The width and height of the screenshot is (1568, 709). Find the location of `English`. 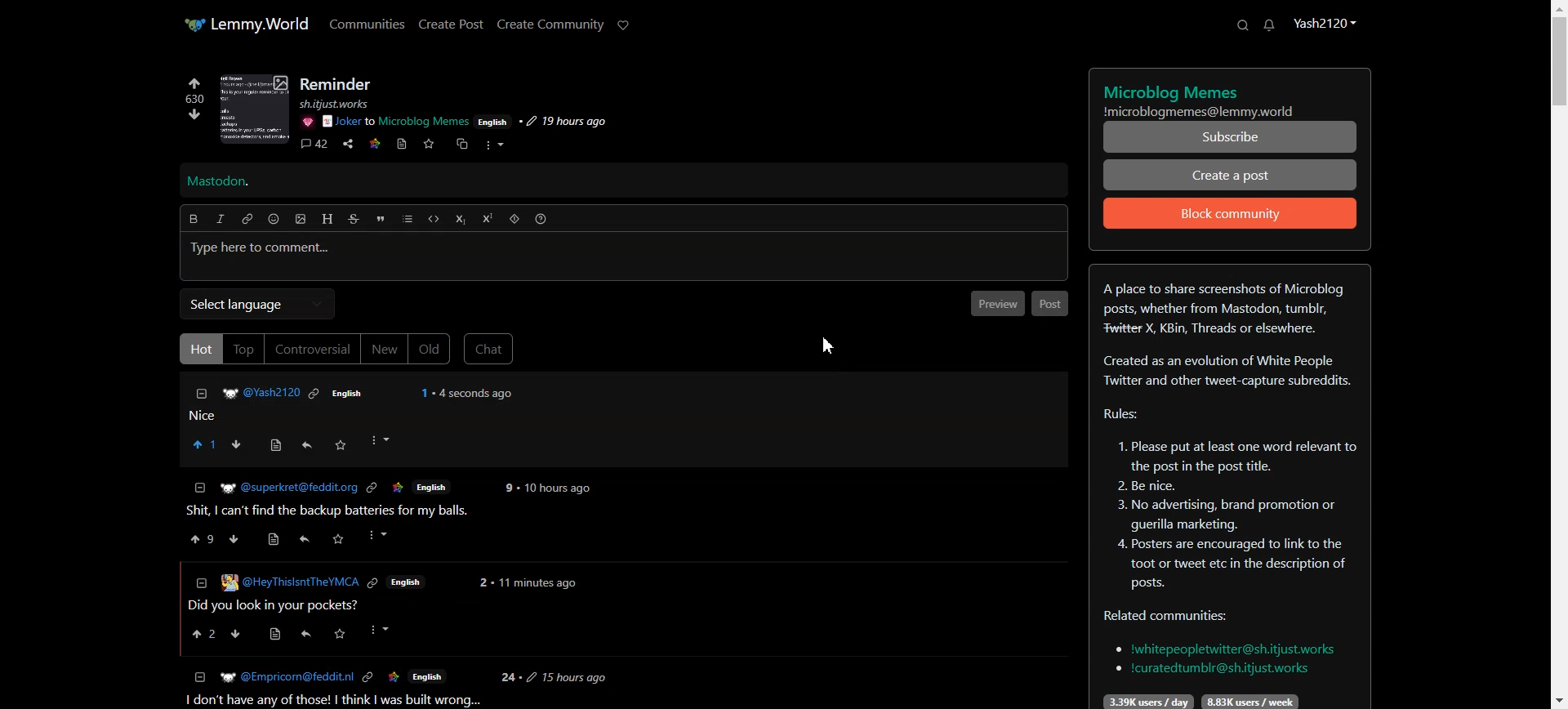

English is located at coordinates (428, 676).